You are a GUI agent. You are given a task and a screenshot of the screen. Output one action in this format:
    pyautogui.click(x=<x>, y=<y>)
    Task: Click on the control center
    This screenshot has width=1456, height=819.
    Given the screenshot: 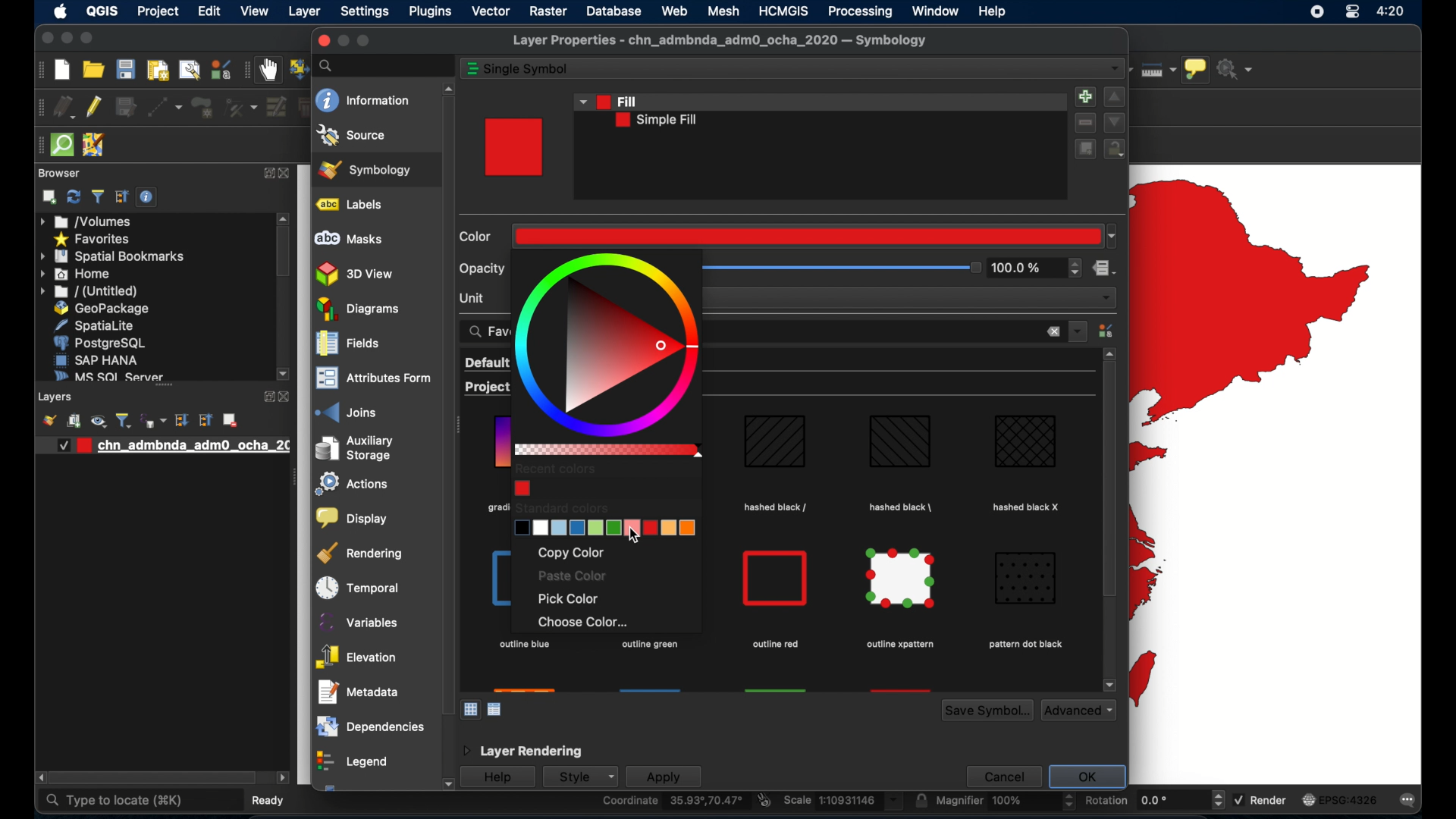 What is the action you would take?
    pyautogui.click(x=1352, y=13)
    